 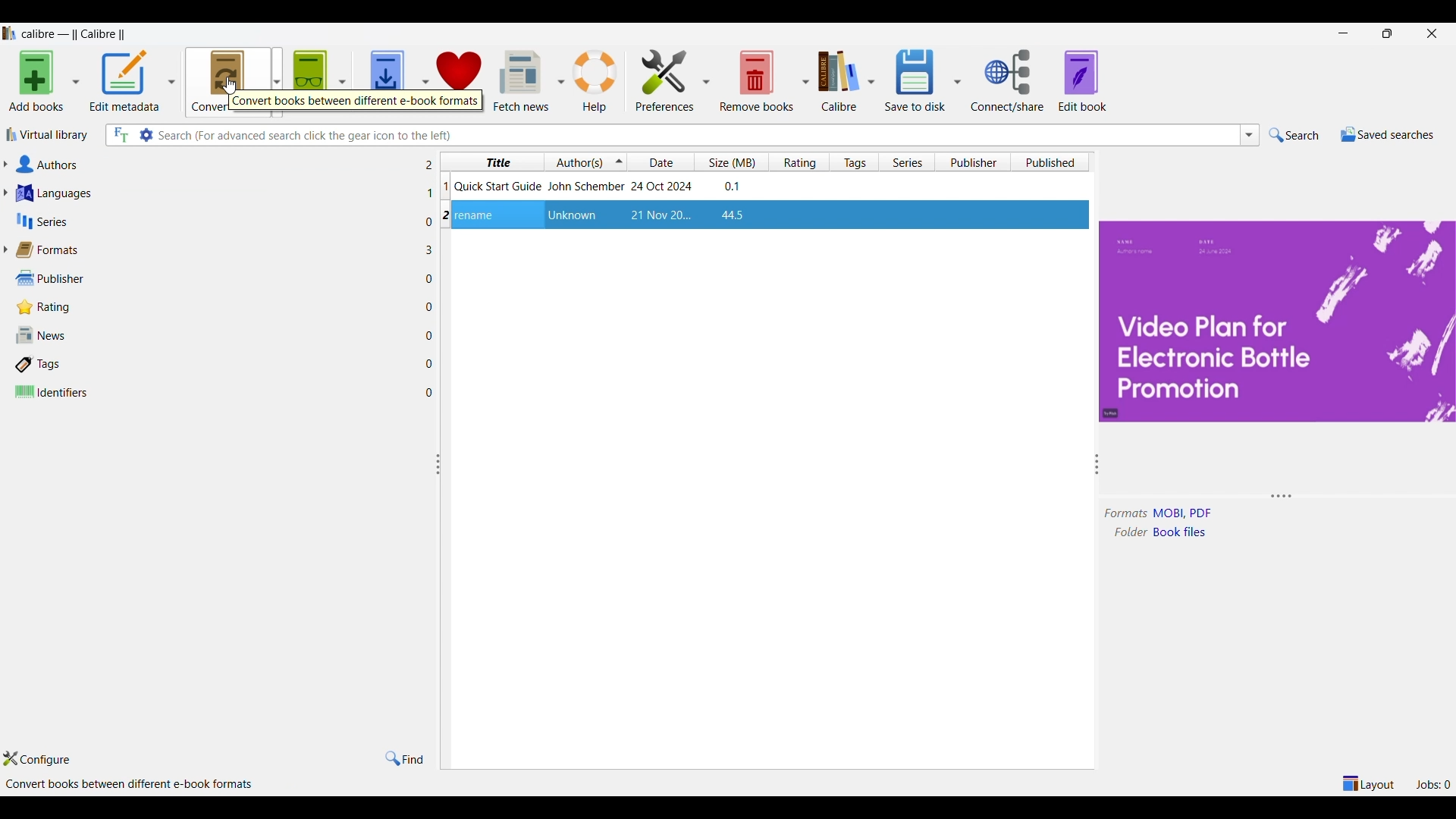 I want to click on Edit metadata, so click(x=124, y=81).